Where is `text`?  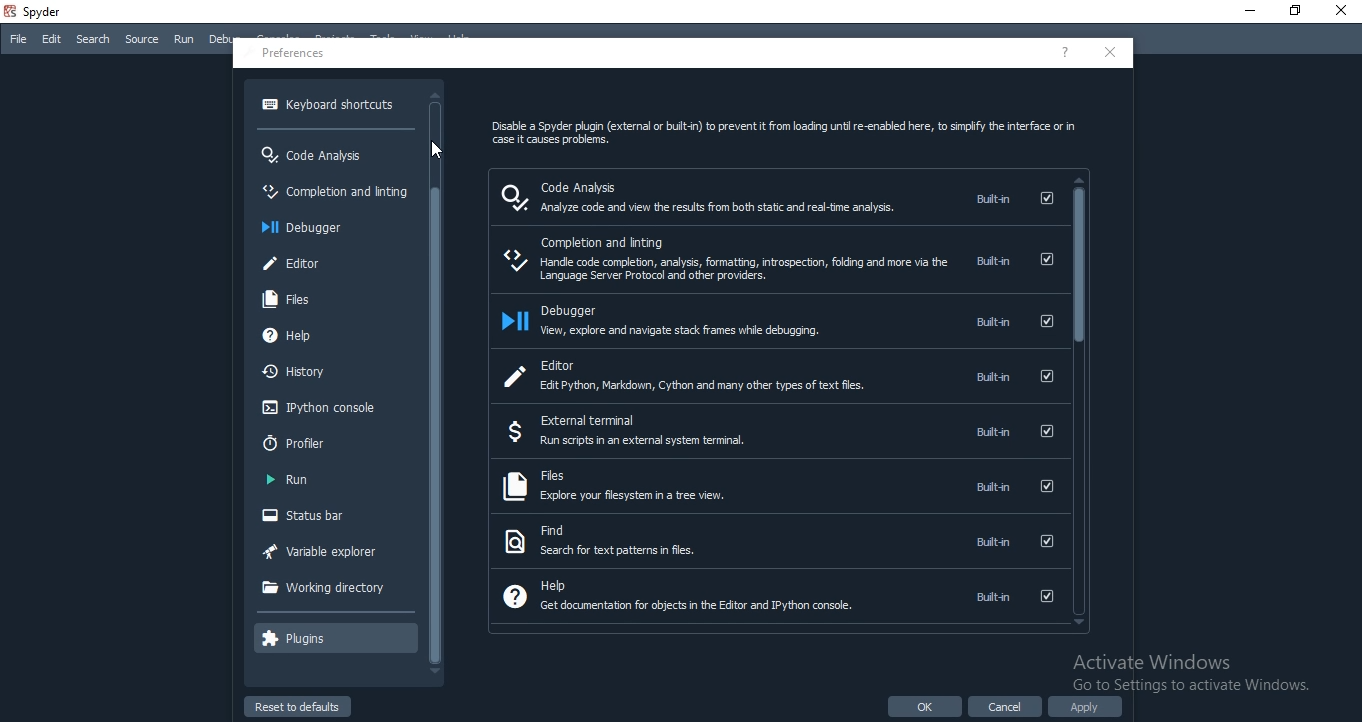 text is located at coordinates (990, 431).